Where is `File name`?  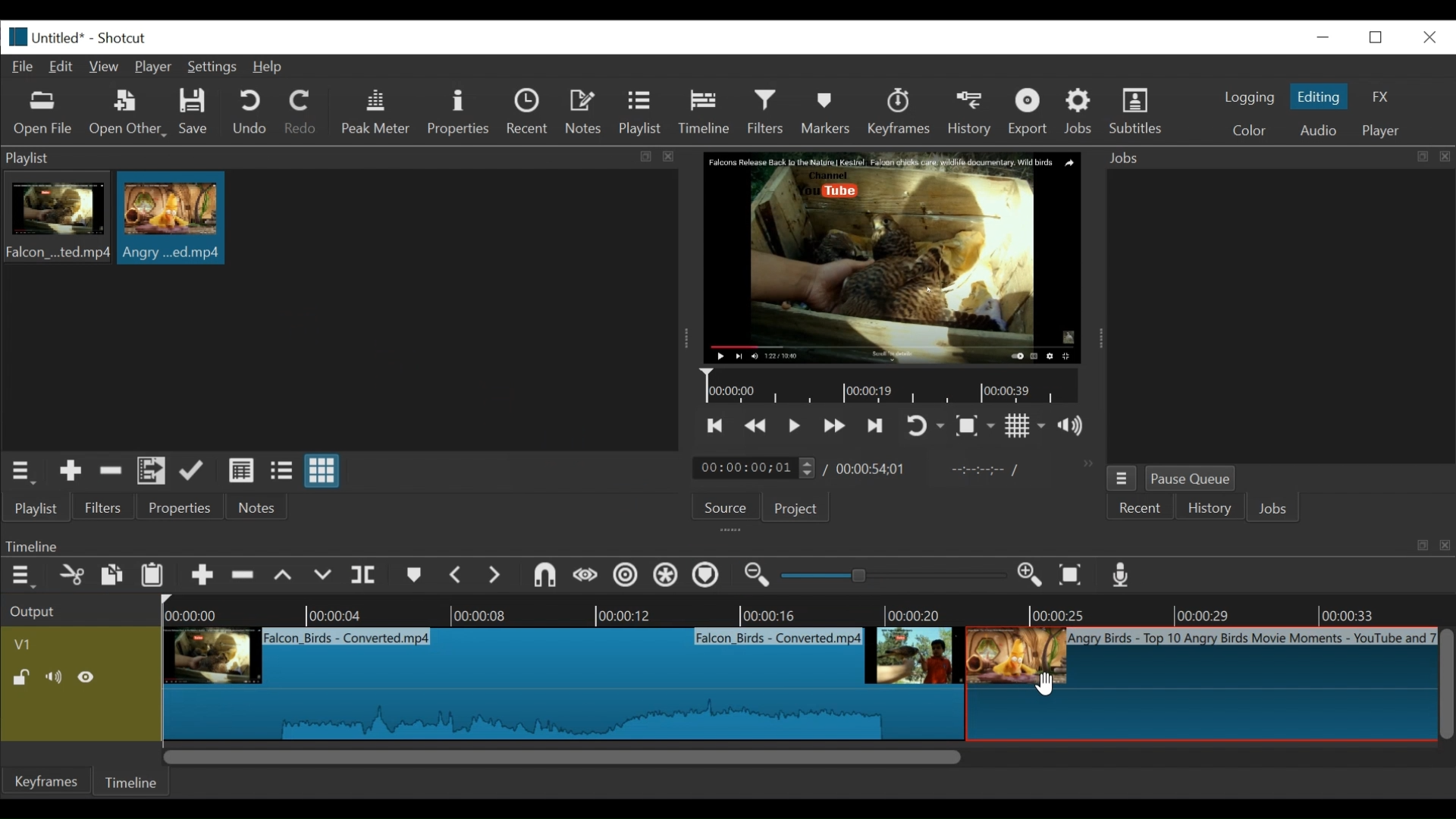
File name is located at coordinates (61, 39).